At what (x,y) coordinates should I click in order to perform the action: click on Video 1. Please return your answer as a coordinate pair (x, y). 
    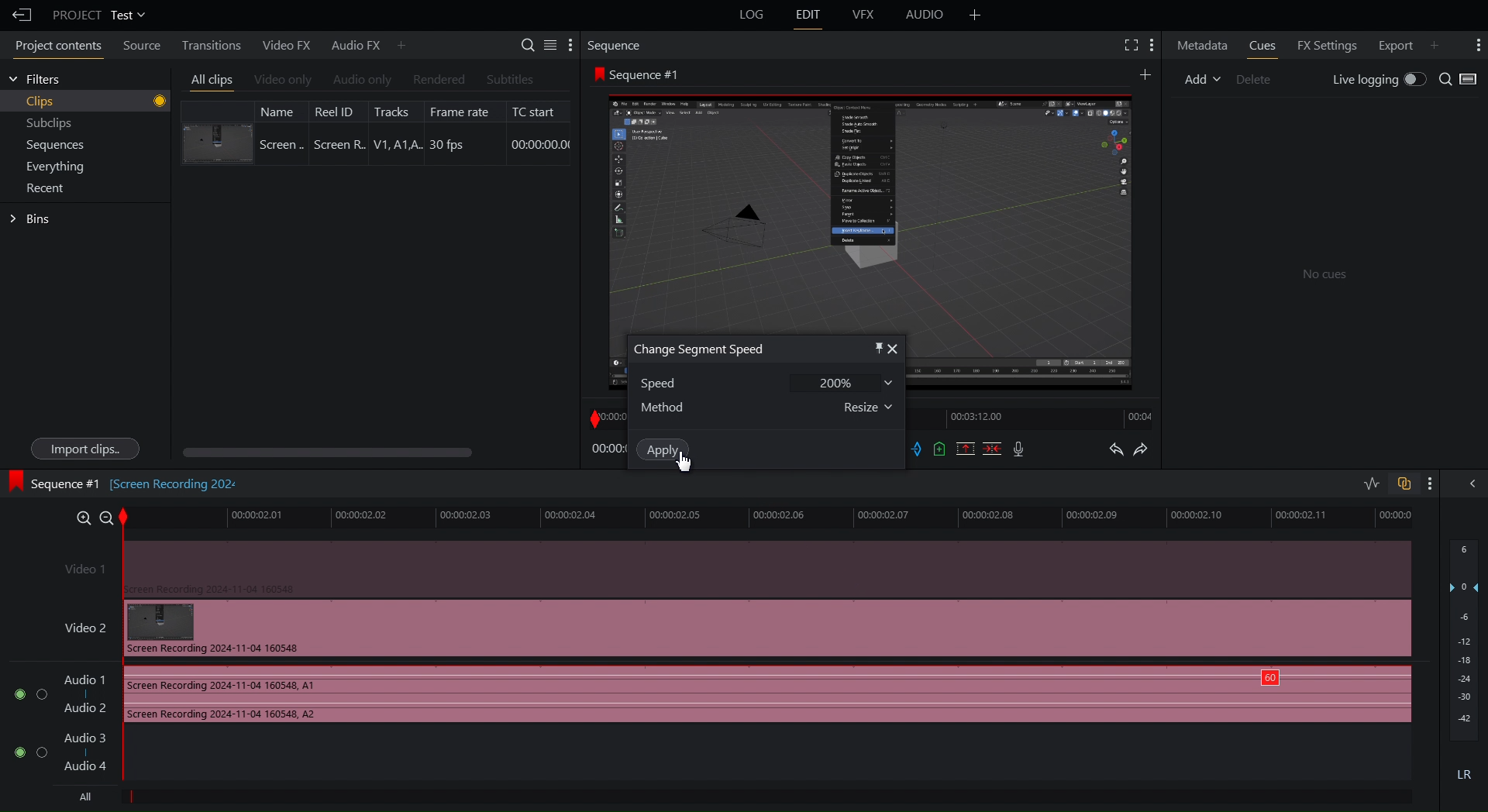
    Looking at the image, I should click on (730, 567).